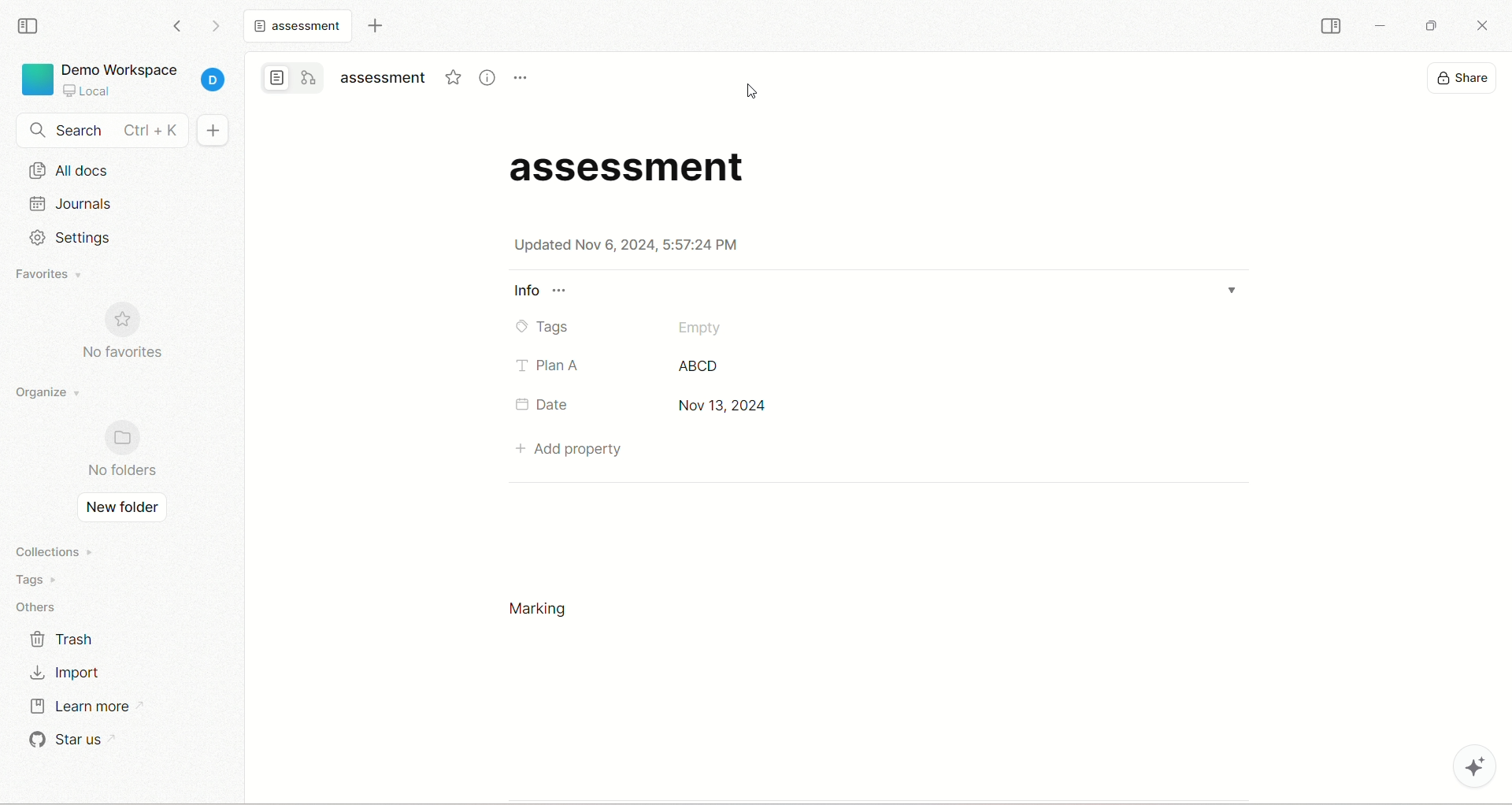  What do you see at coordinates (124, 169) in the screenshot?
I see `all docs` at bounding box center [124, 169].